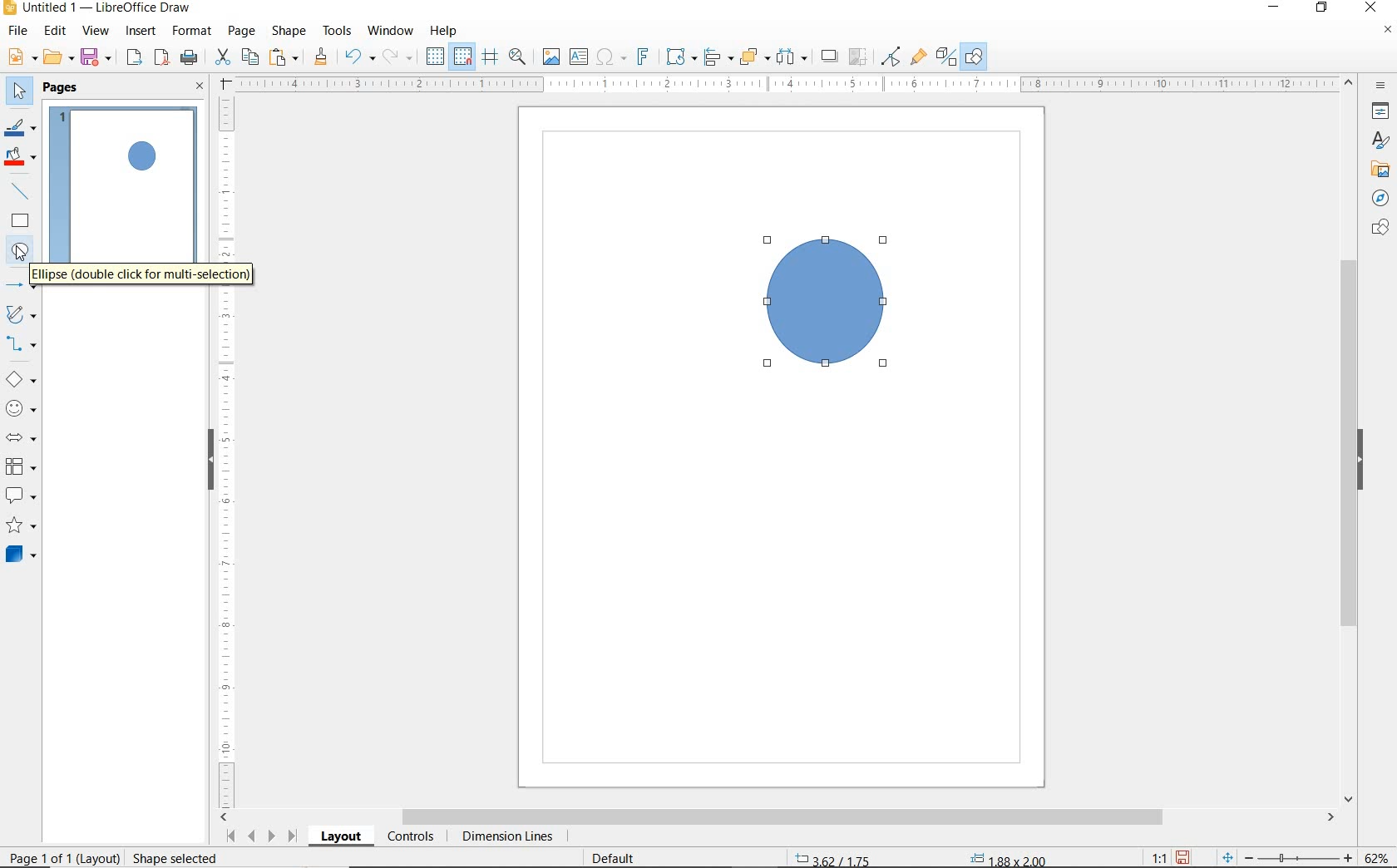  What do you see at coordinates (22, 287) in the screenshot?
I see `LINES AND ARROWS` at bounding box center [22, 287].